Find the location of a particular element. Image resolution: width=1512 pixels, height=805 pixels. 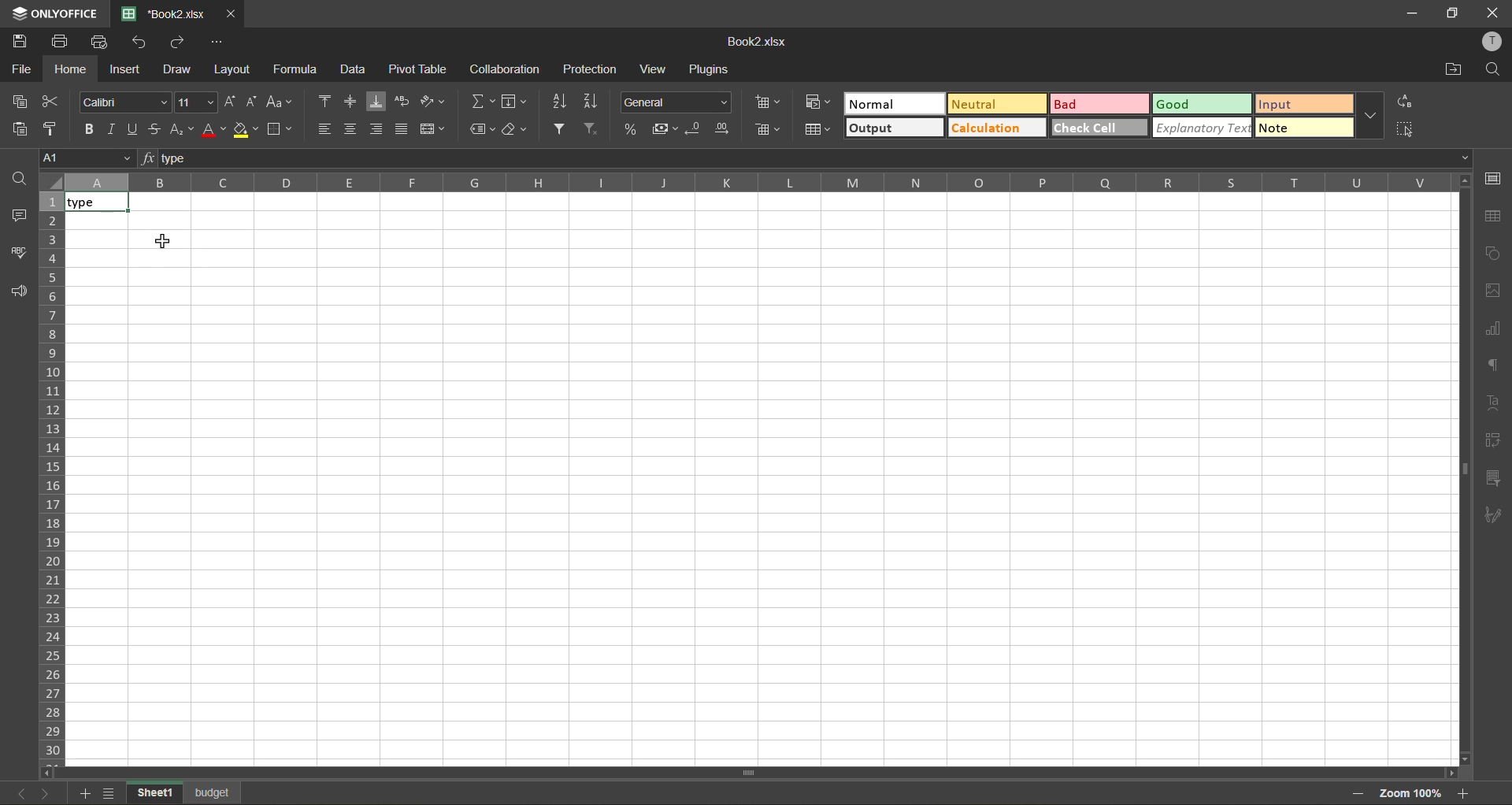

text is located at coordinates (1493, 402).